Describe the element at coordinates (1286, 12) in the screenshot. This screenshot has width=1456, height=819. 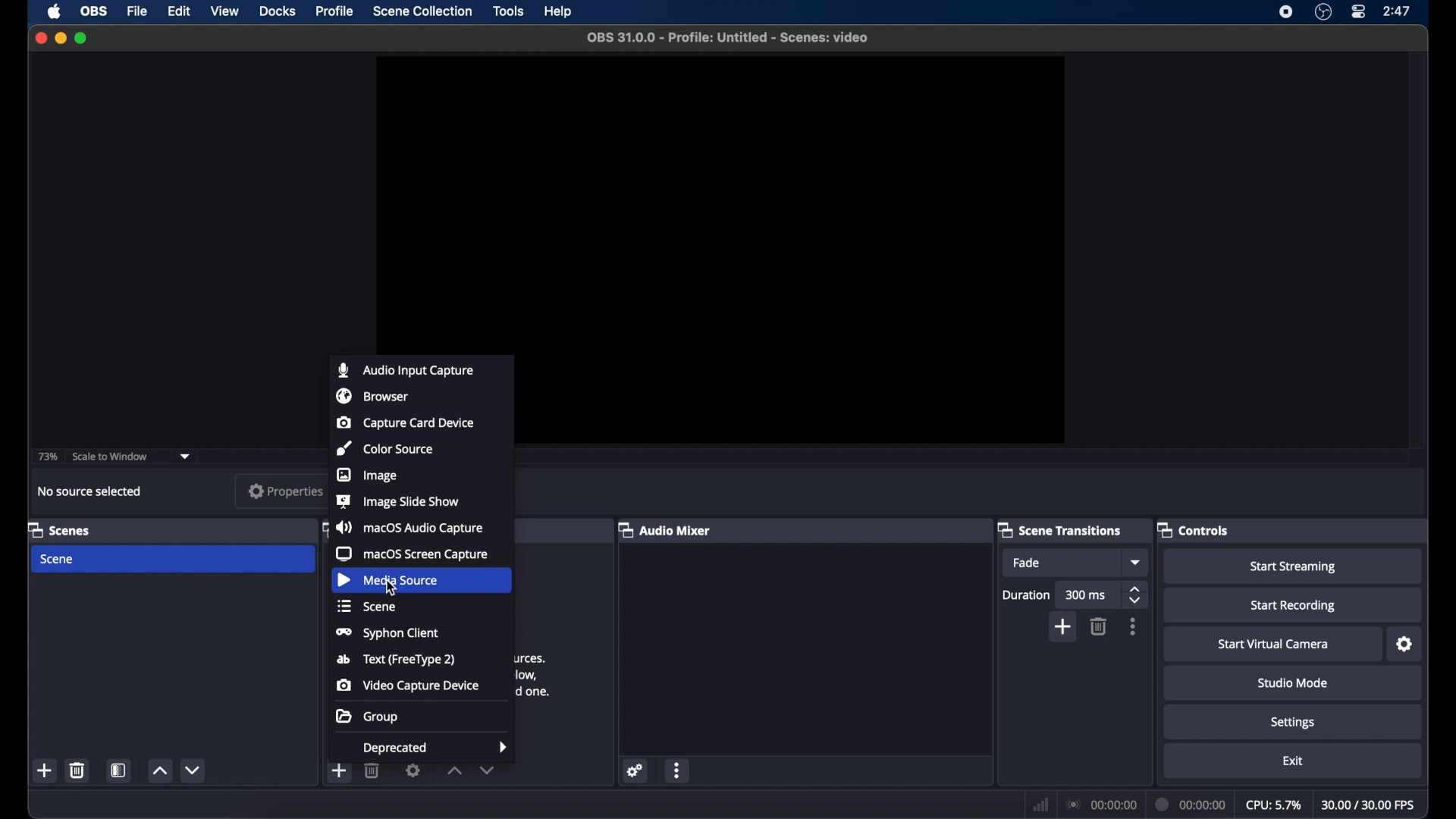
I see `screen recorder icon` at that location.